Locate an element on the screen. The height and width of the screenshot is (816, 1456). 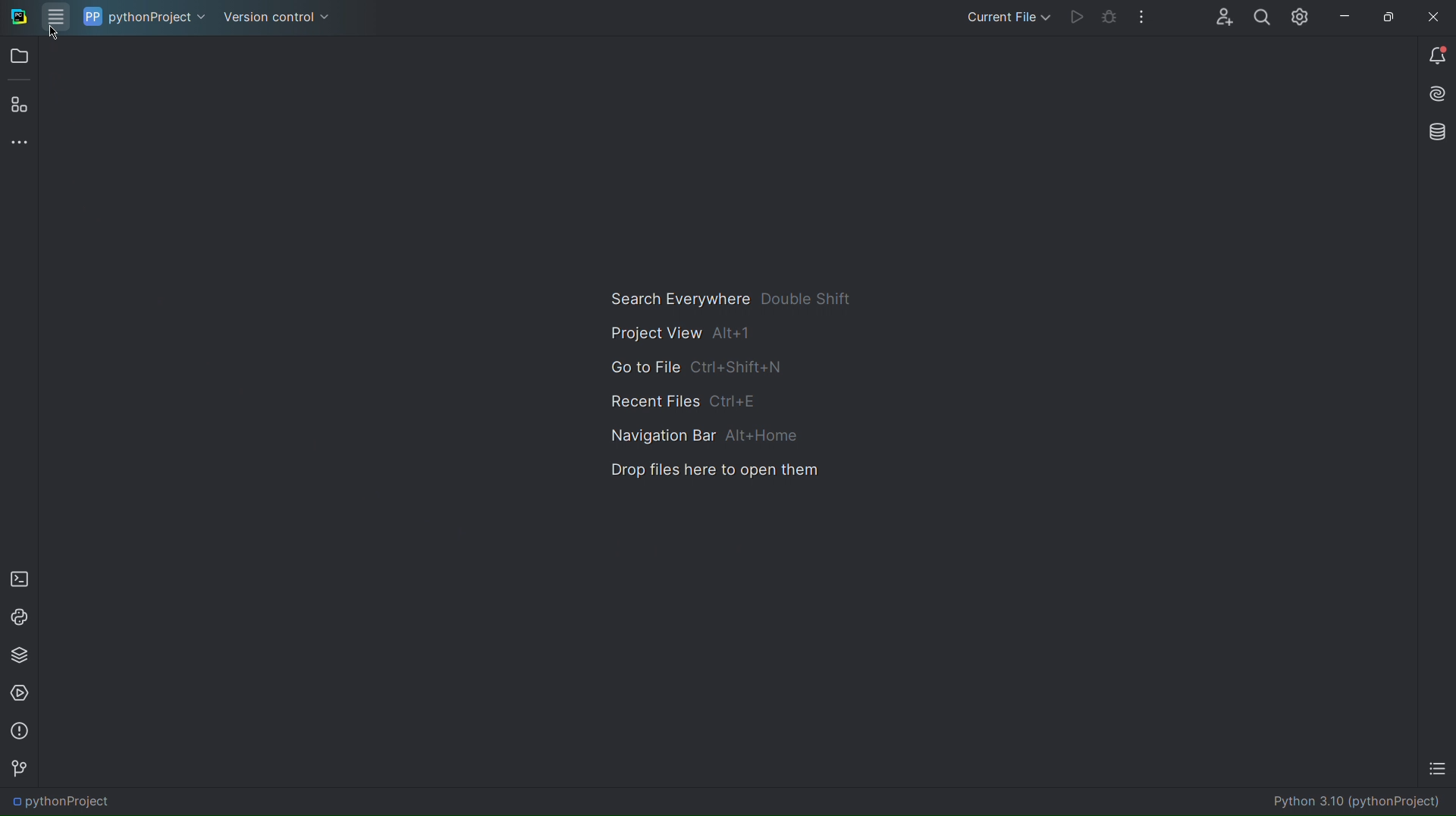
Maximize is located at coordinates (1386, 16).